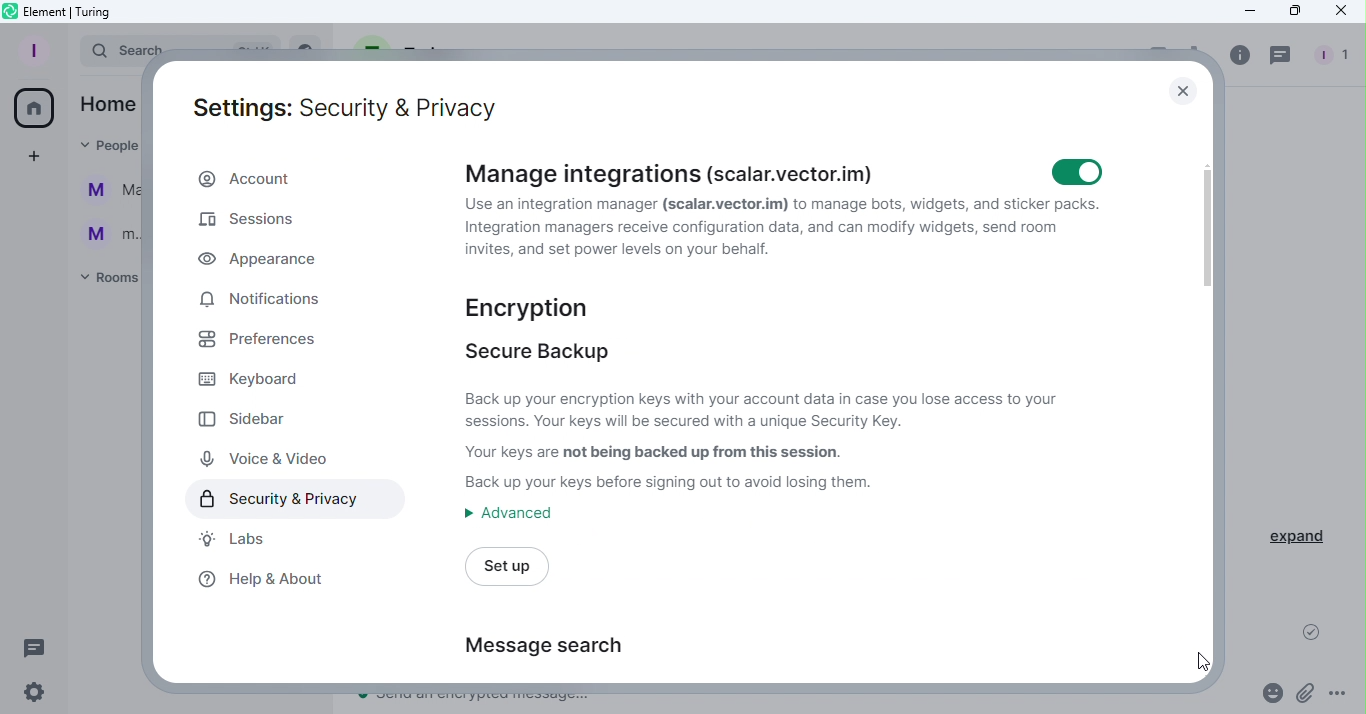  Describe the element at coordinates (259, 344) in the screenshot. I see `Preferences` at that location.